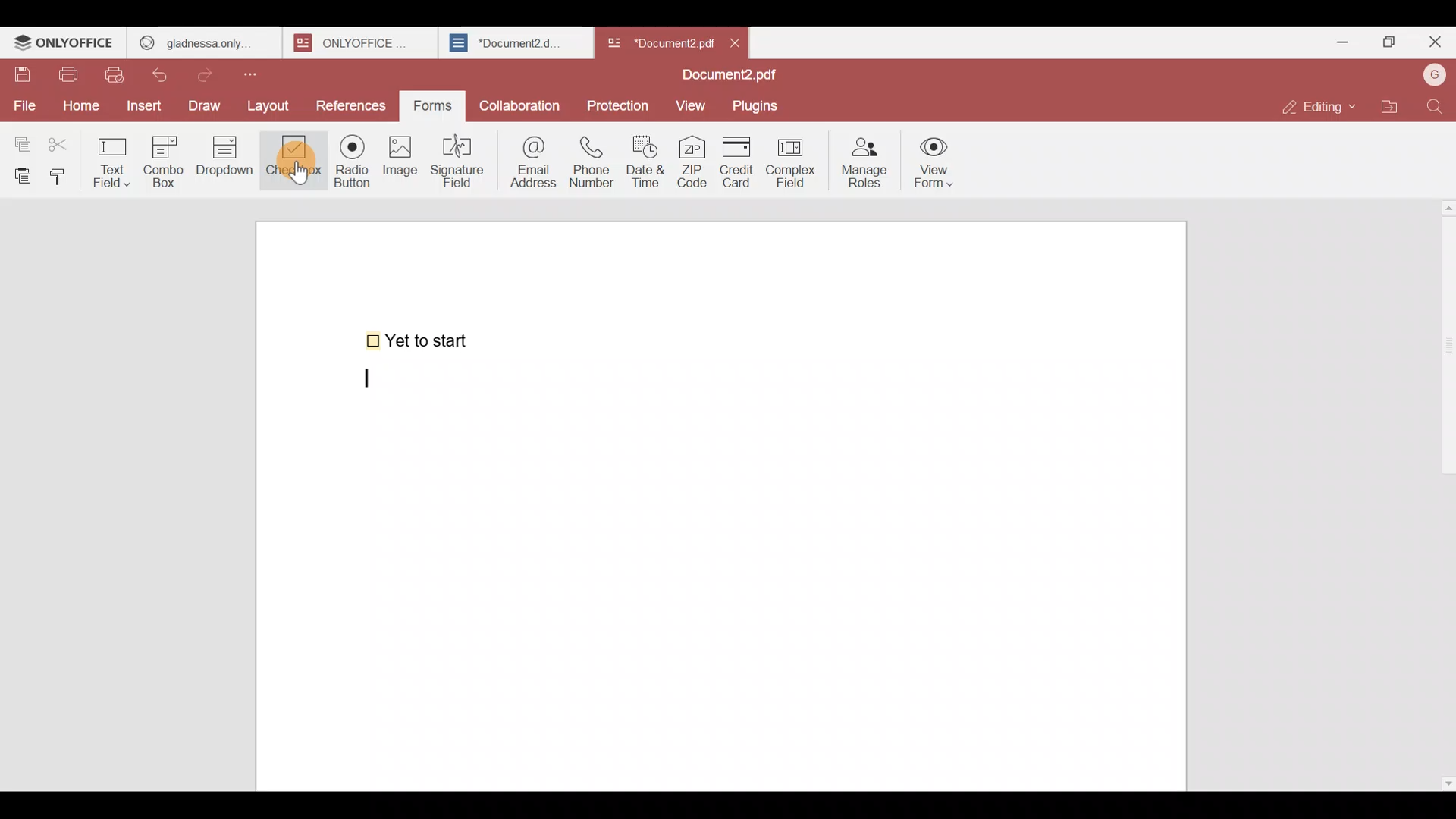  What do you see at coordinates (209, 104) in the screenshot?
I see `Draw` at bounding box center [209, 104].